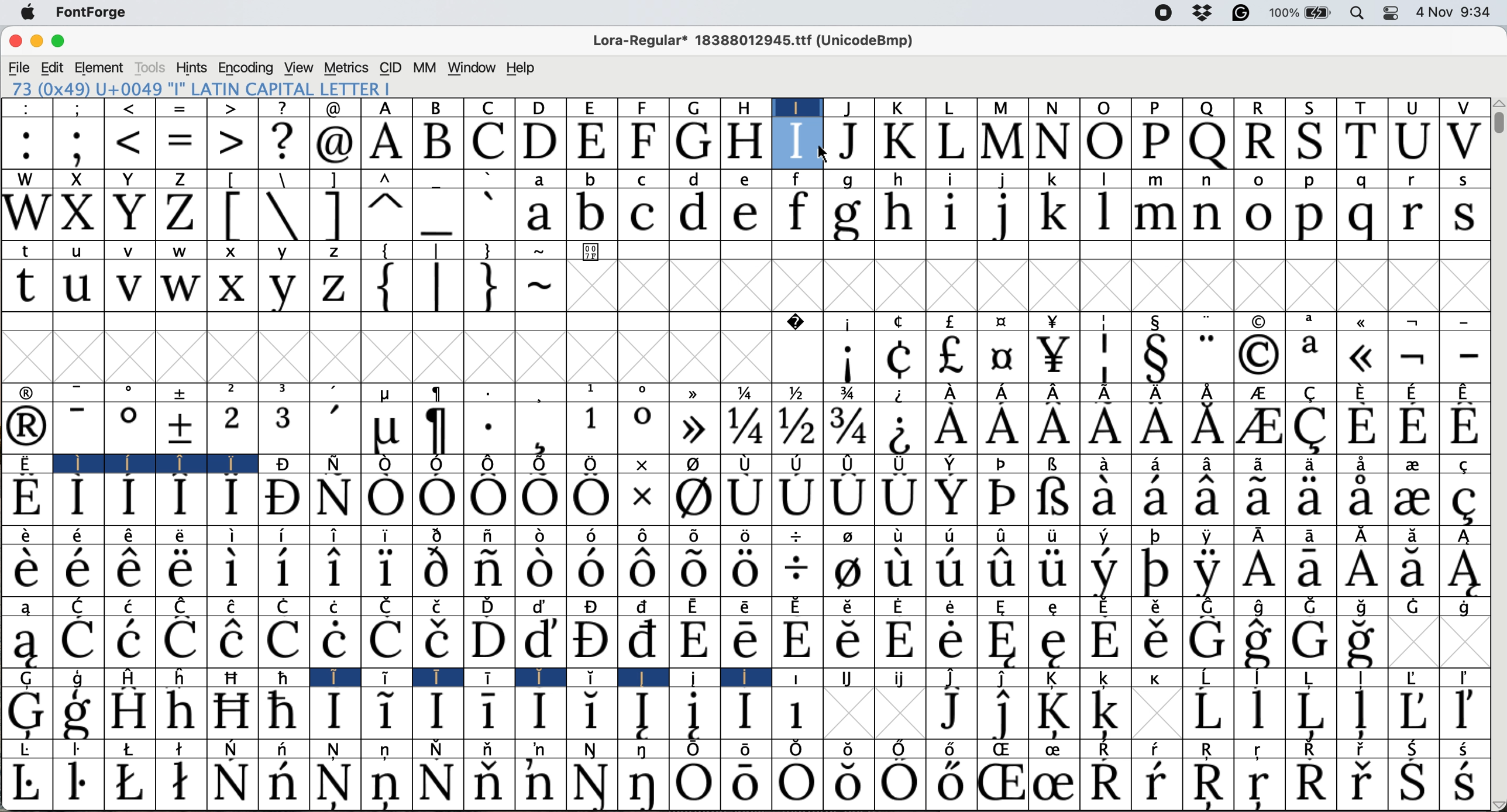  I want to click on Symbol, so click(542, 711).